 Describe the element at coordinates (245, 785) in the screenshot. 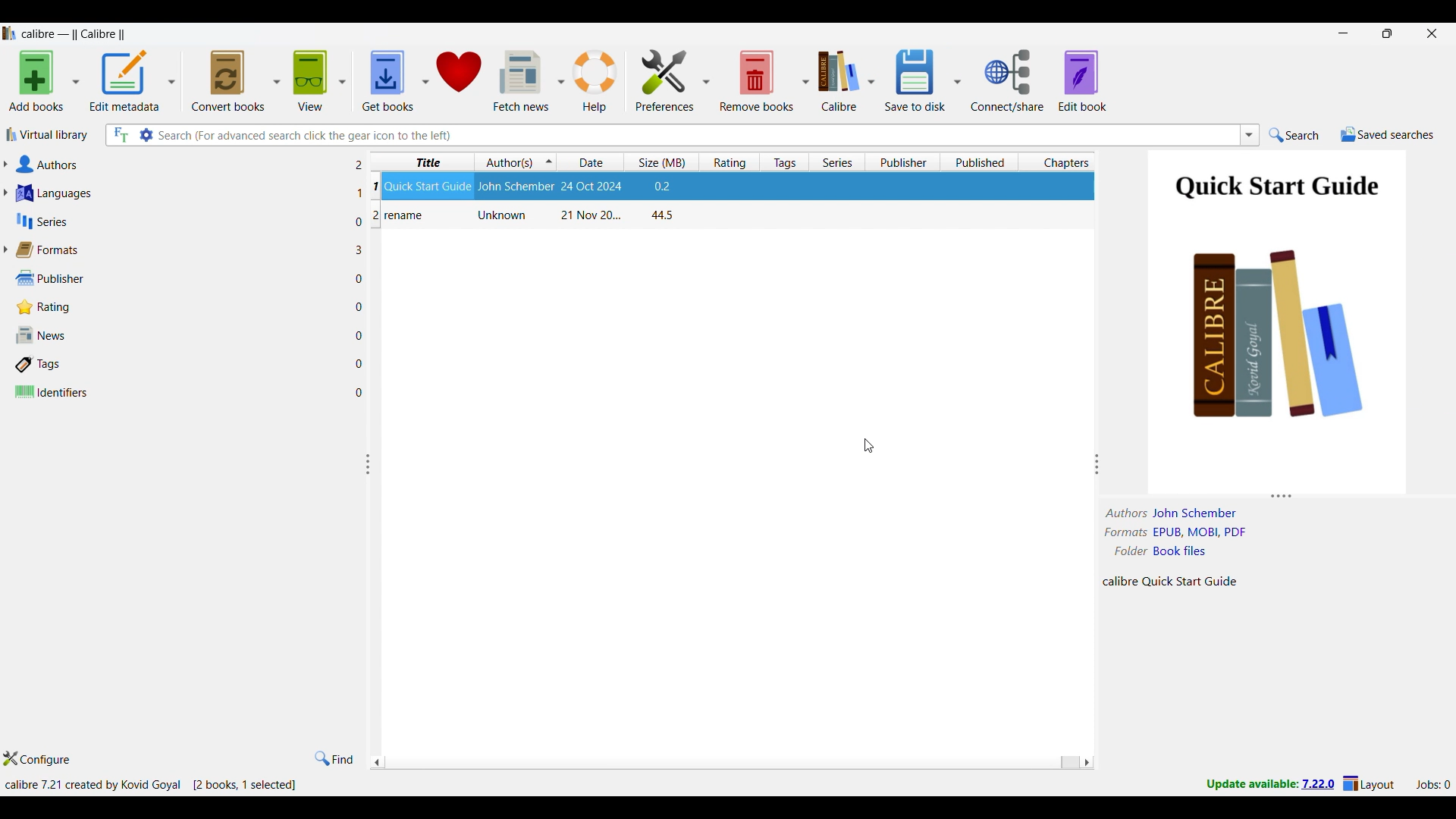

I see `Indicates number of books currently selected out of the total number of books` at that location.